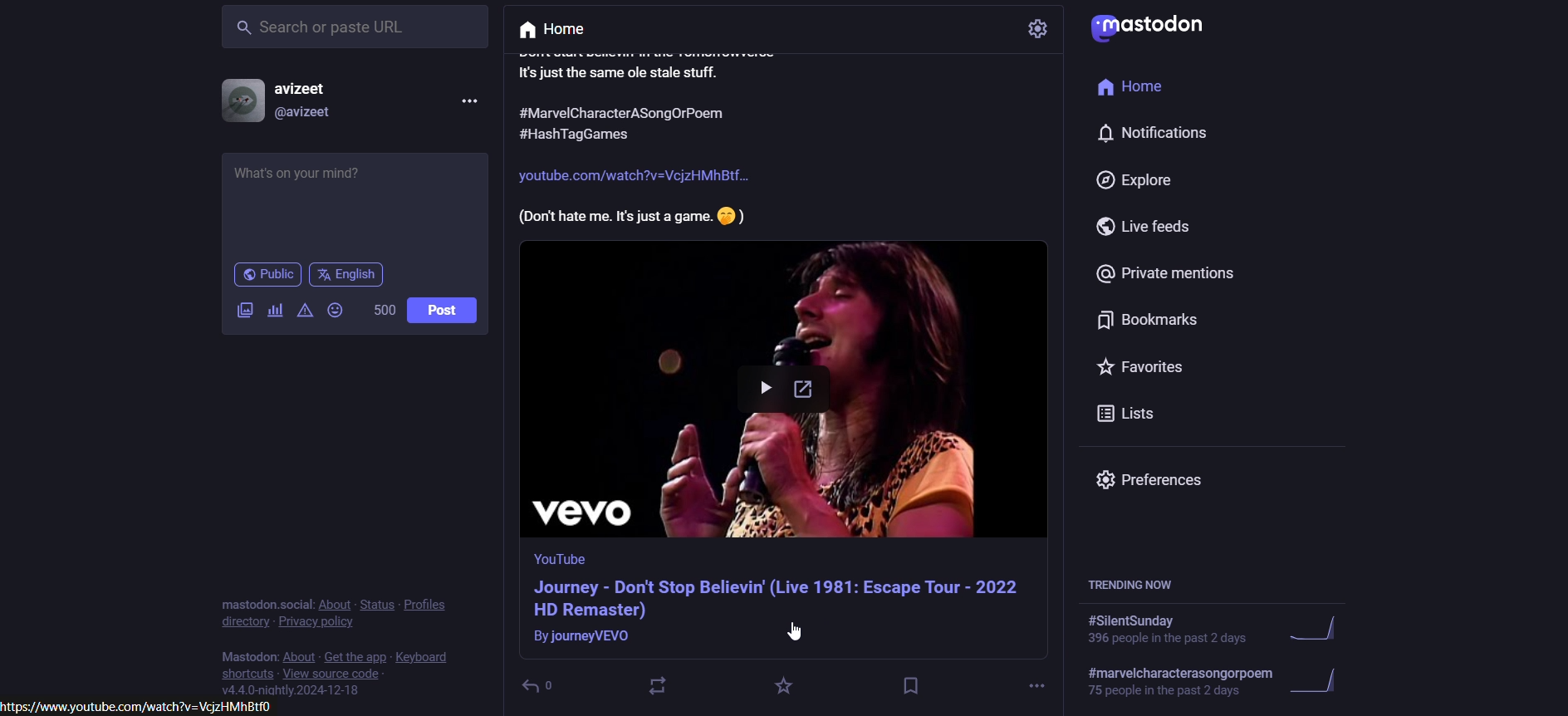 The height and width of the screenshot is (716, 1568). What do you see at coordinates (1136, 180) in the screenshot?
I see `explore` at bounding box center [1136, 180].